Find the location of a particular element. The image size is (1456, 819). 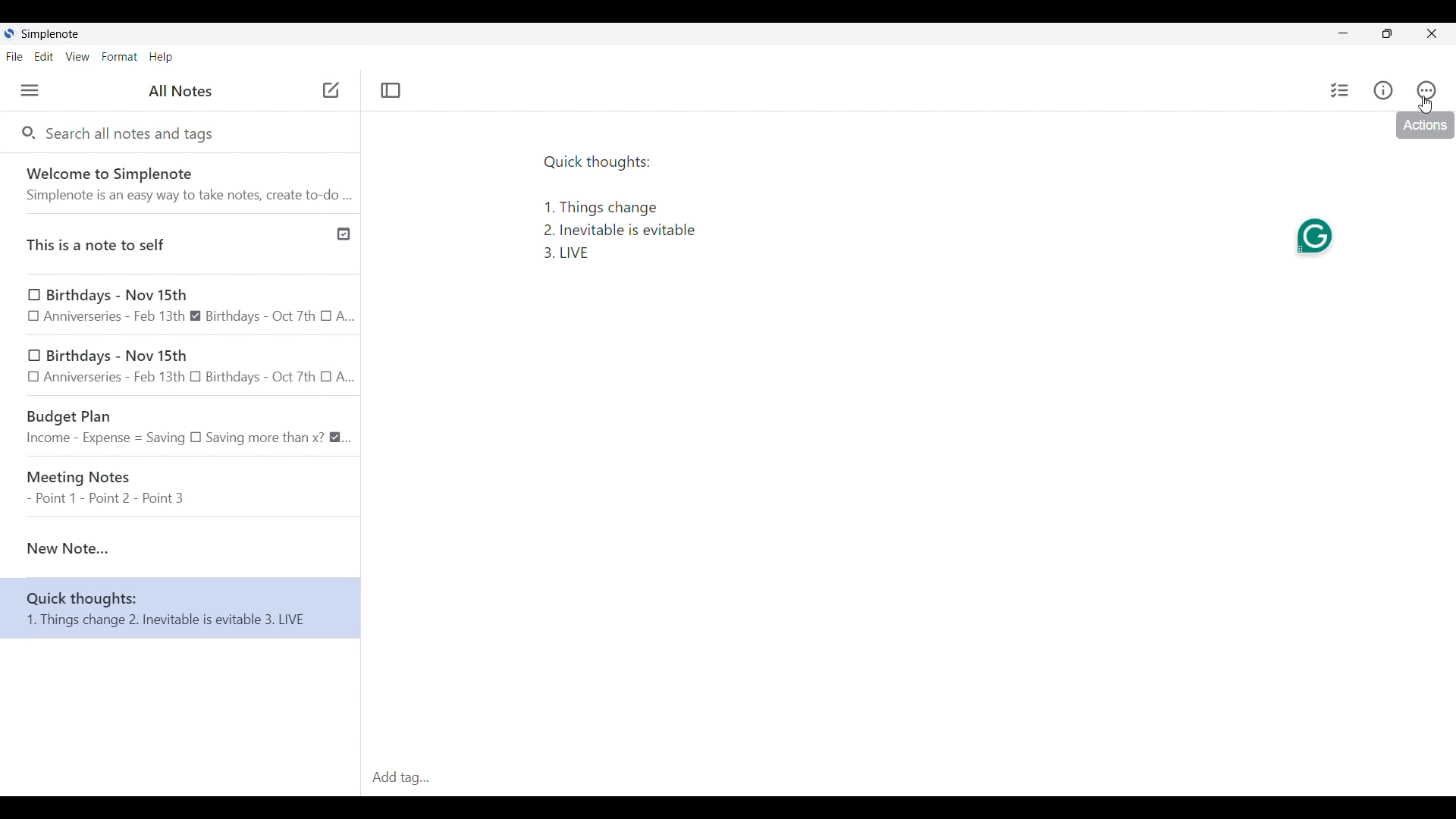

Description of selected icon is located at coordinates (1423, 125).